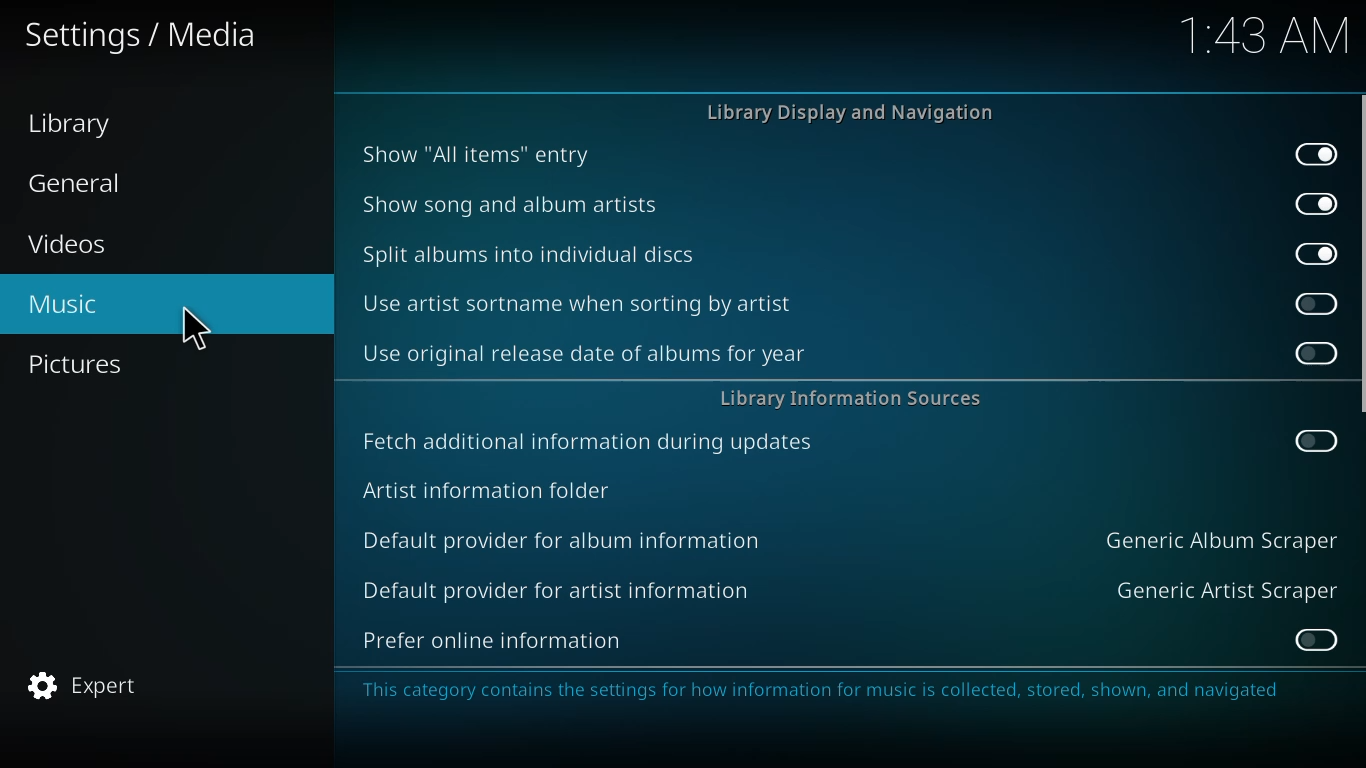 Image resolution: width=1366 pixels, height=768 pixels. Describe the element at coordinates (487, 489) in the screenshot. I see `artist info folder` at that location.